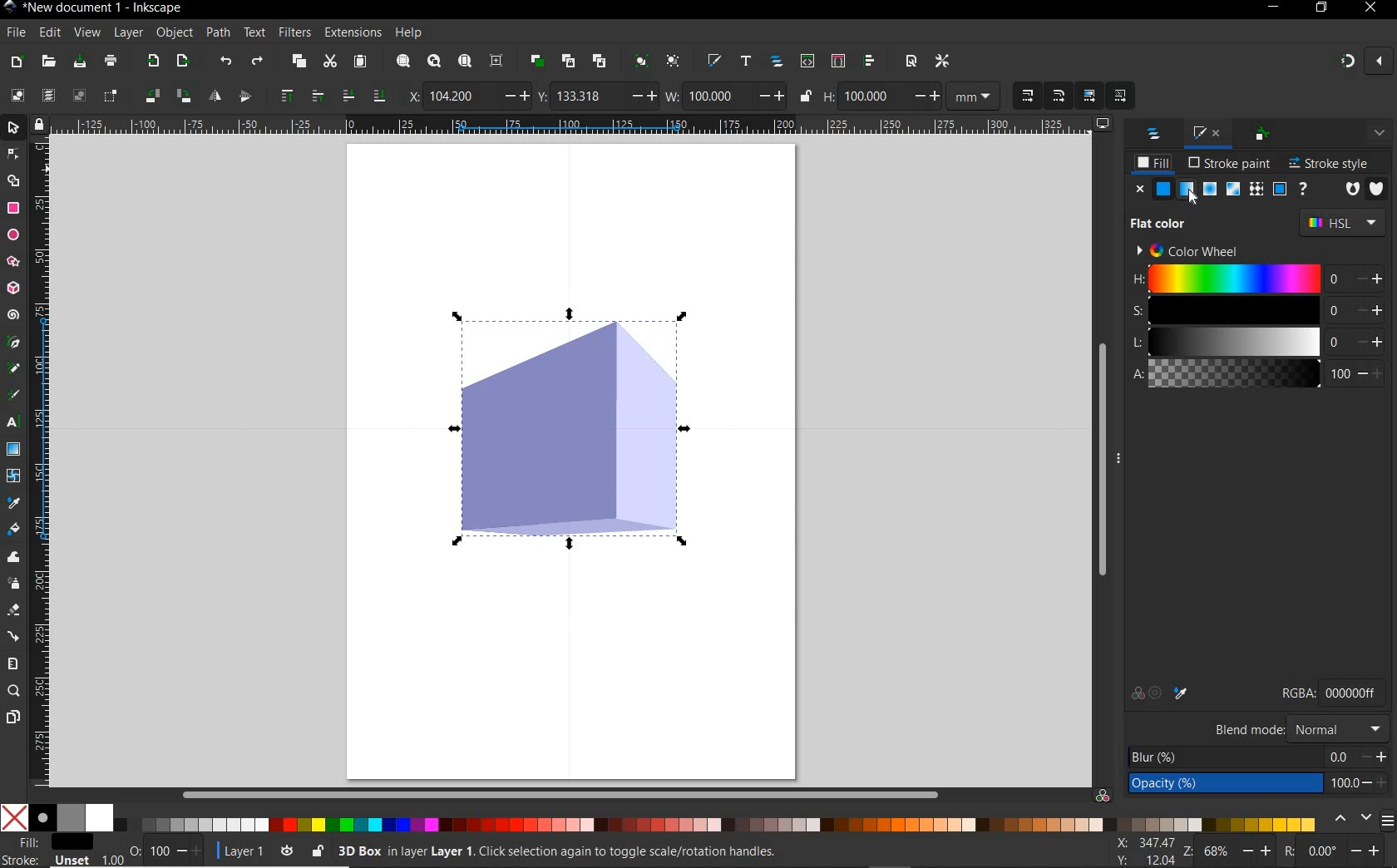 Image resolution: width=1397 pixels, height=868 pixels. I want to click on PEN TOOL, so click(12, 344).